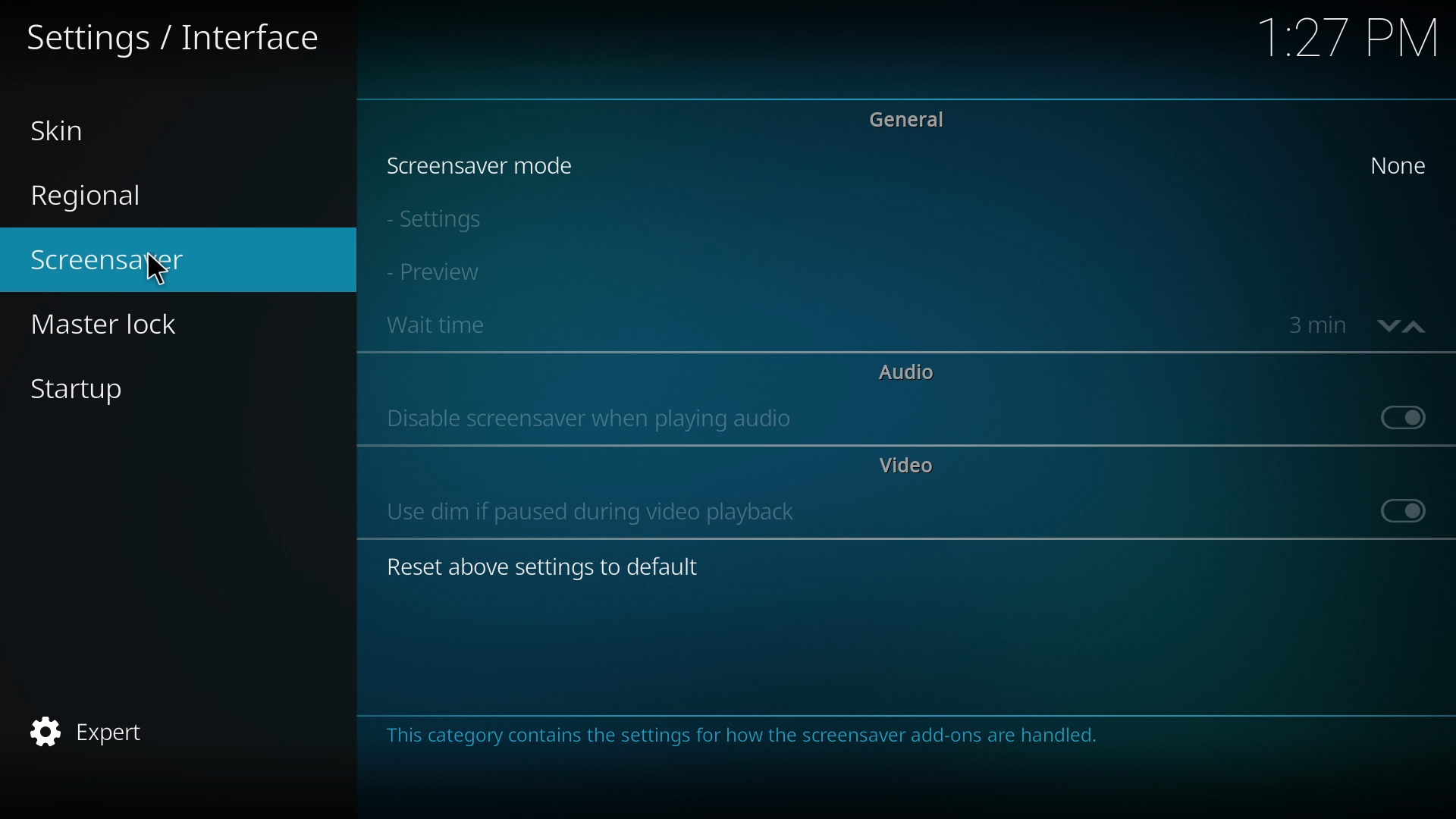 The height and width of the screenshot is (819, 1456). What do you see at coordinates (552, 570) in the screenshot?
I see `reset above settings to default` at bounding box center [552, 570].